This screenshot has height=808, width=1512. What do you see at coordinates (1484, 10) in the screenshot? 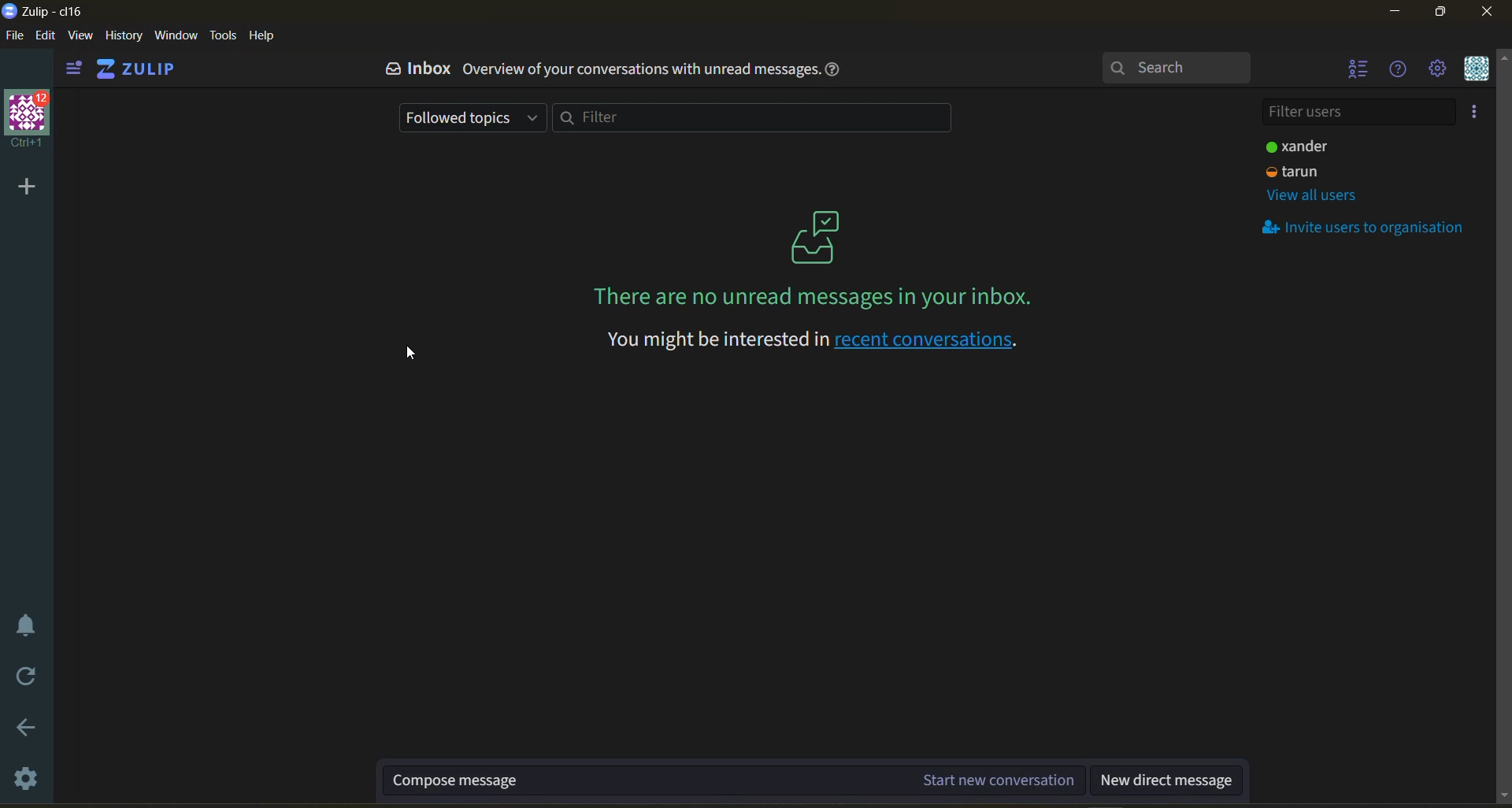
I see `close` at bounding box center [1484, 10].